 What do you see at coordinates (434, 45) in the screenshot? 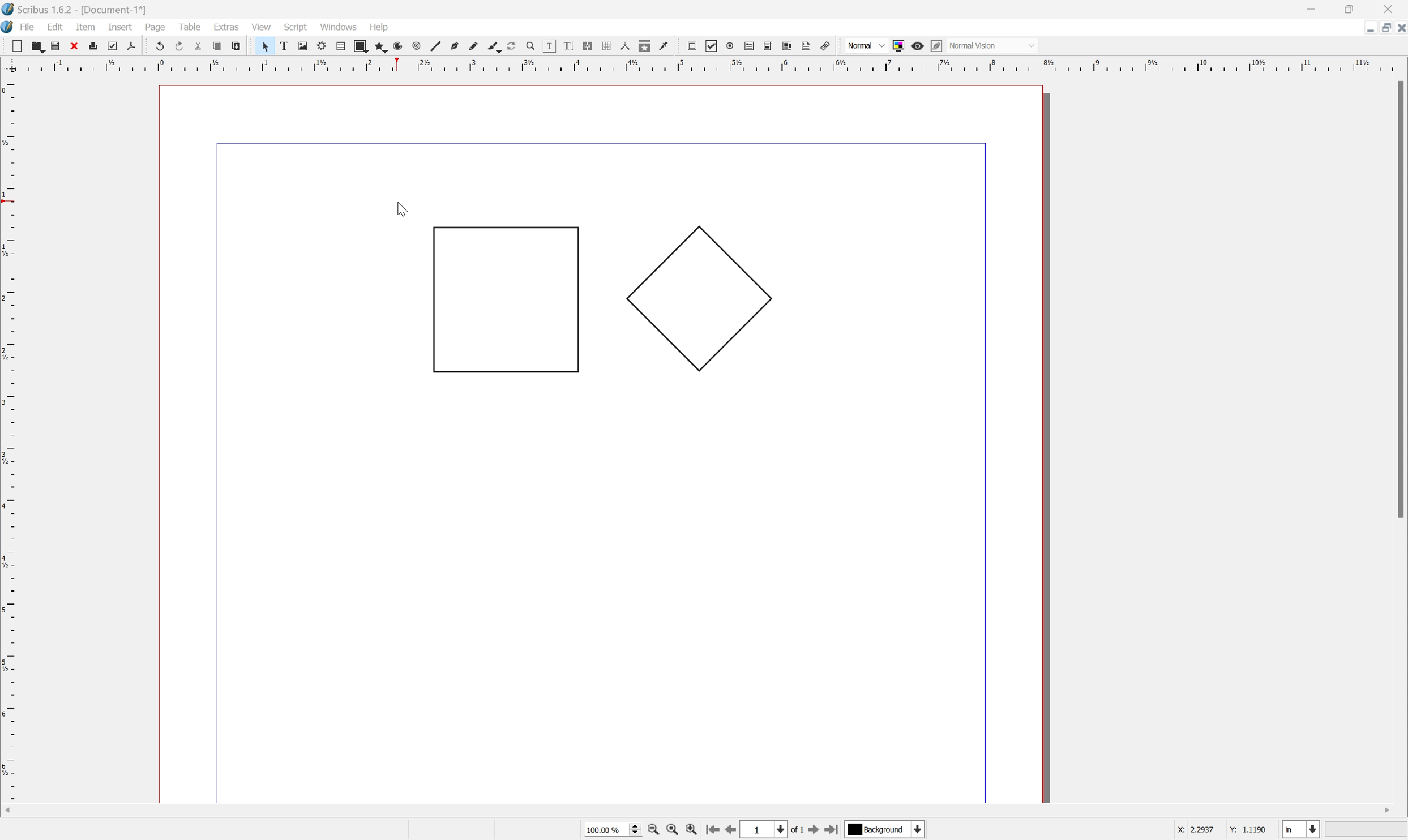
I see `line` at bounding box center [434, 45].